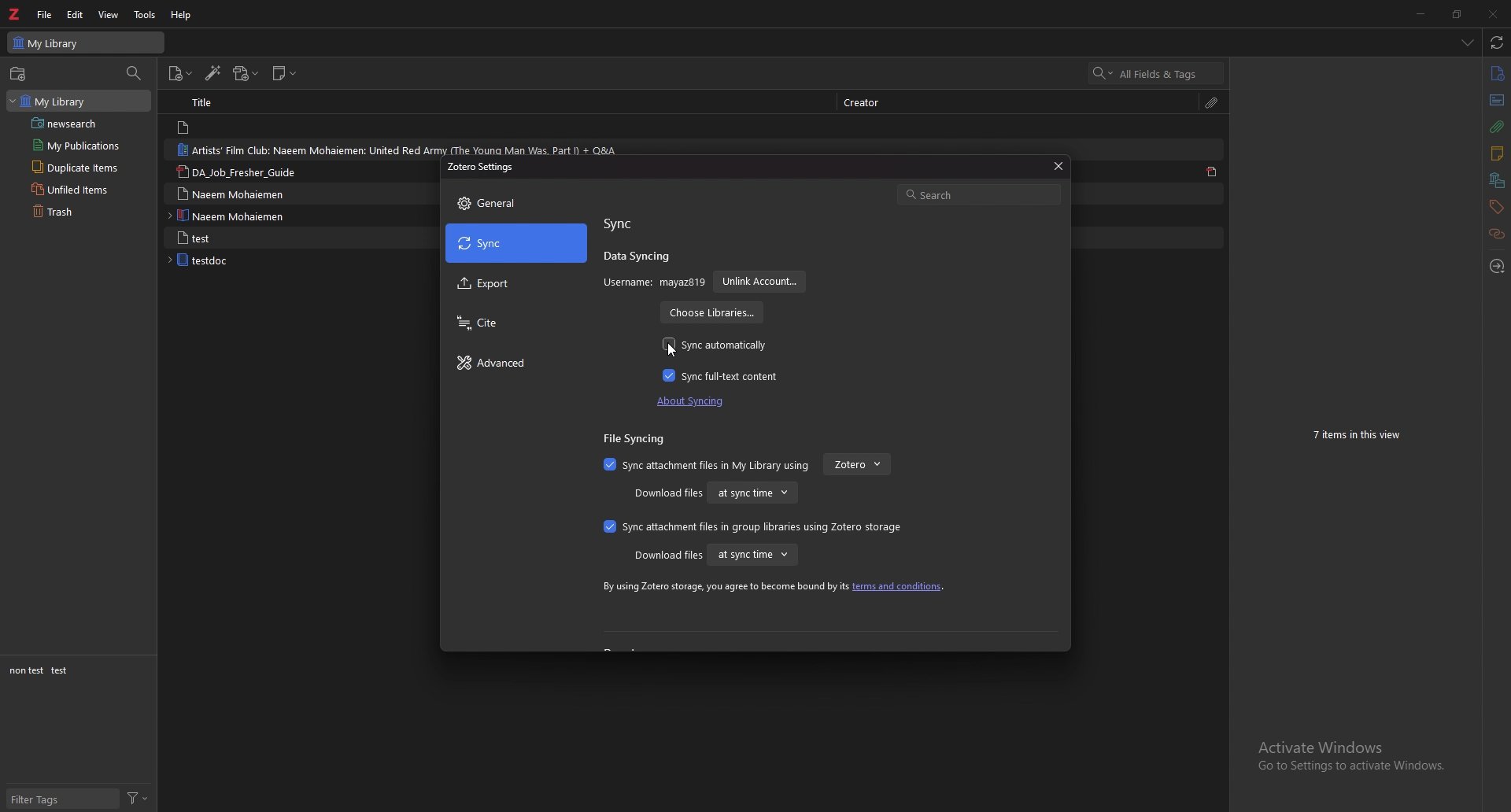 This screenshot has width=1511, height=812. I want to click on attachment, so click(1213, 101).